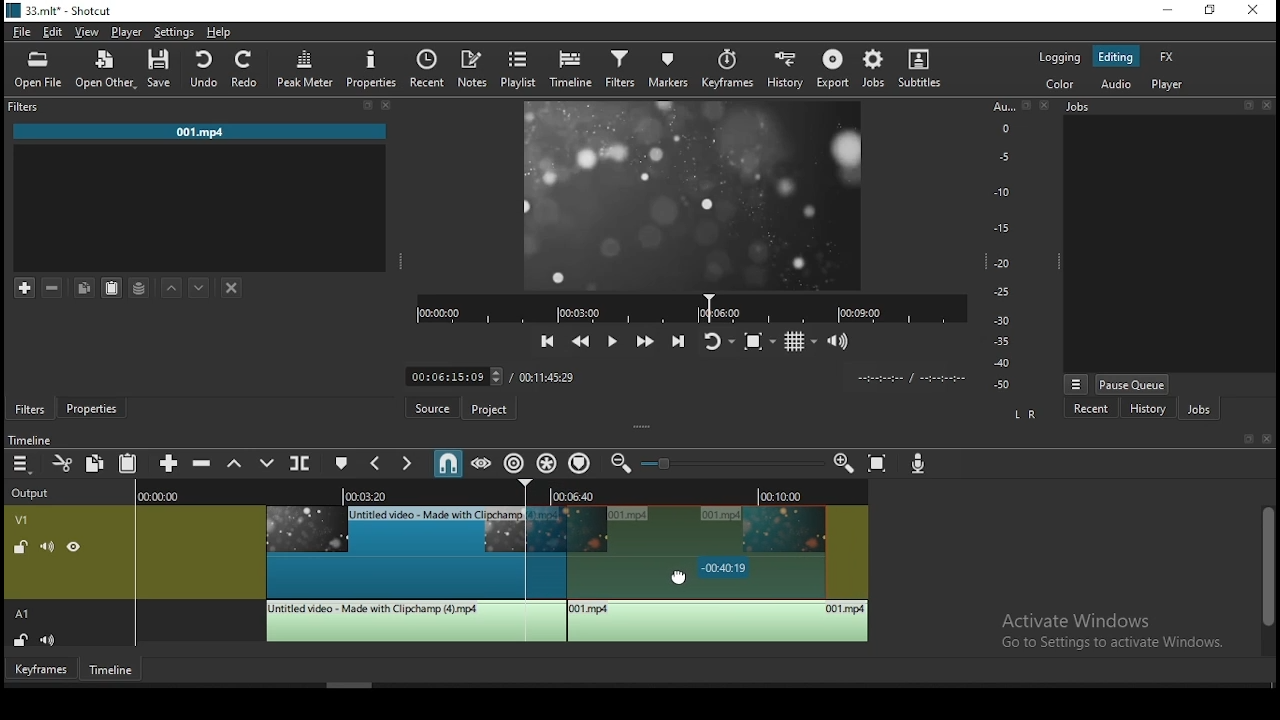 The height and width of the screenshot is (720, 1280). Describe the element at coordinates (29, 253) in the screenshot. I see `A1` at that location.